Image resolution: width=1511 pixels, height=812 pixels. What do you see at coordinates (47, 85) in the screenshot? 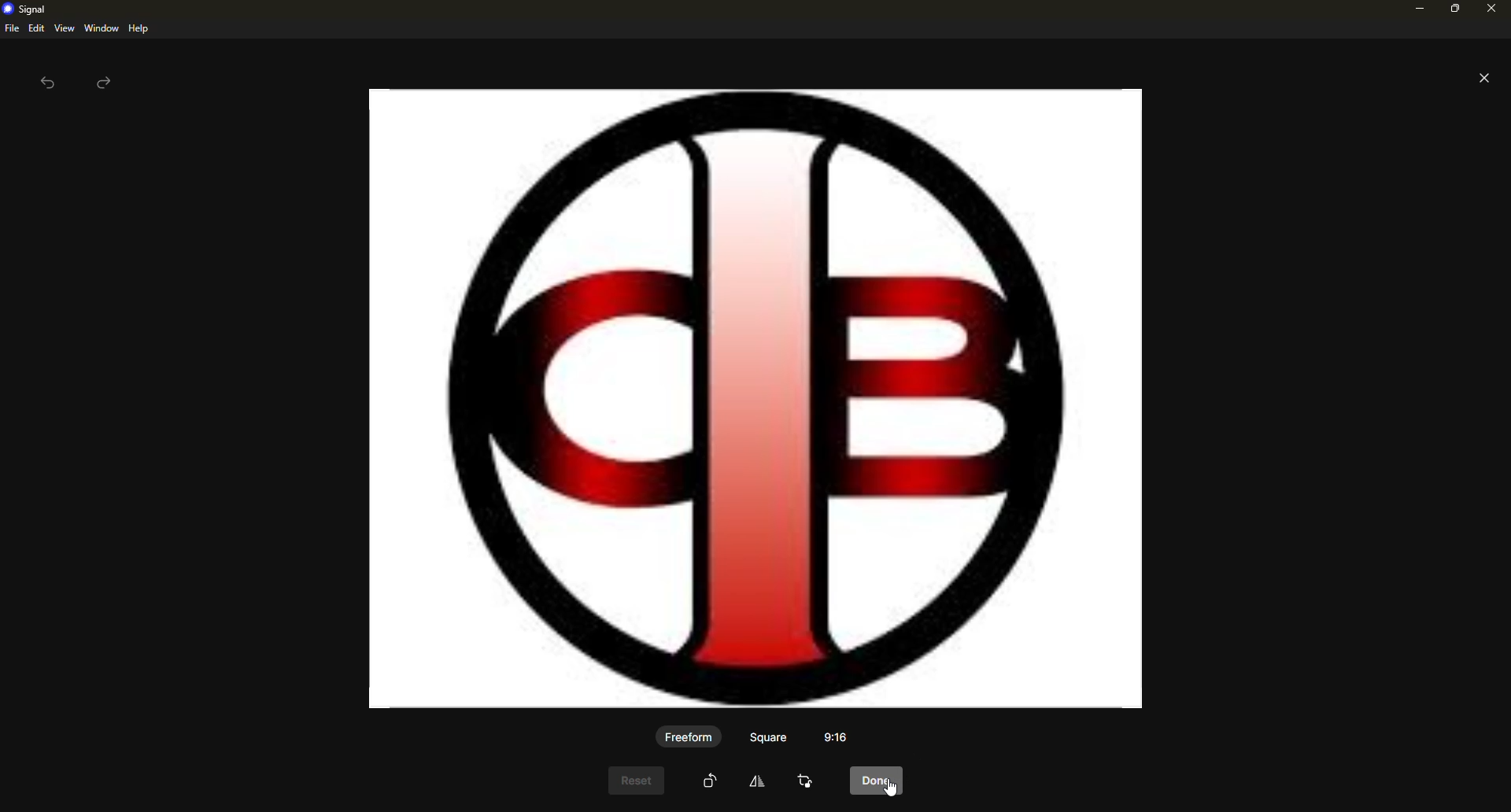
I see `back` at bounding box center [47, 85].